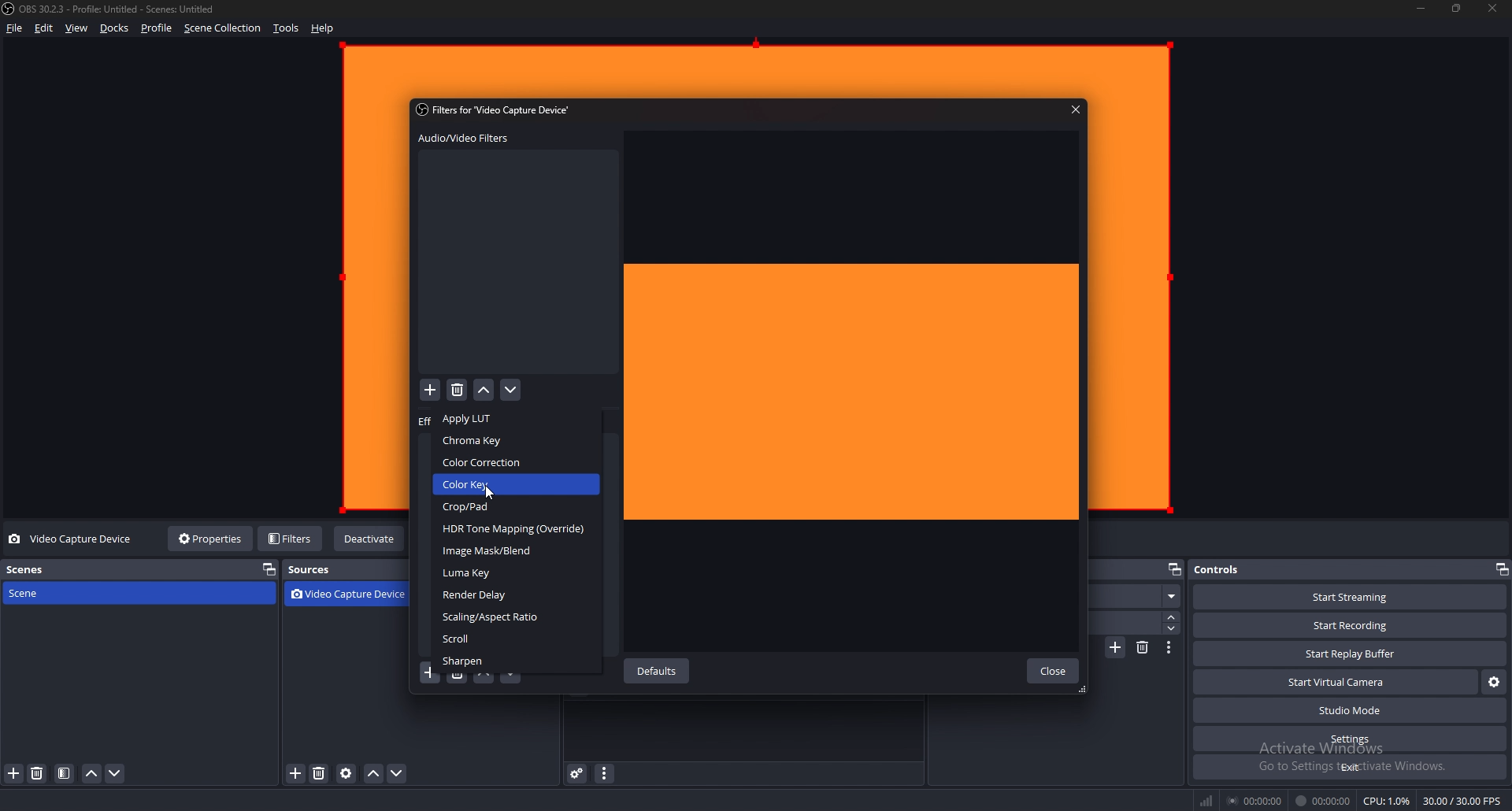 Image resolution: width=1512 pixels, height=811 pixels. What do you see at coordinates (39, 774) in the screenshot?
I see `remove scene` at bounding box center [39, 774].